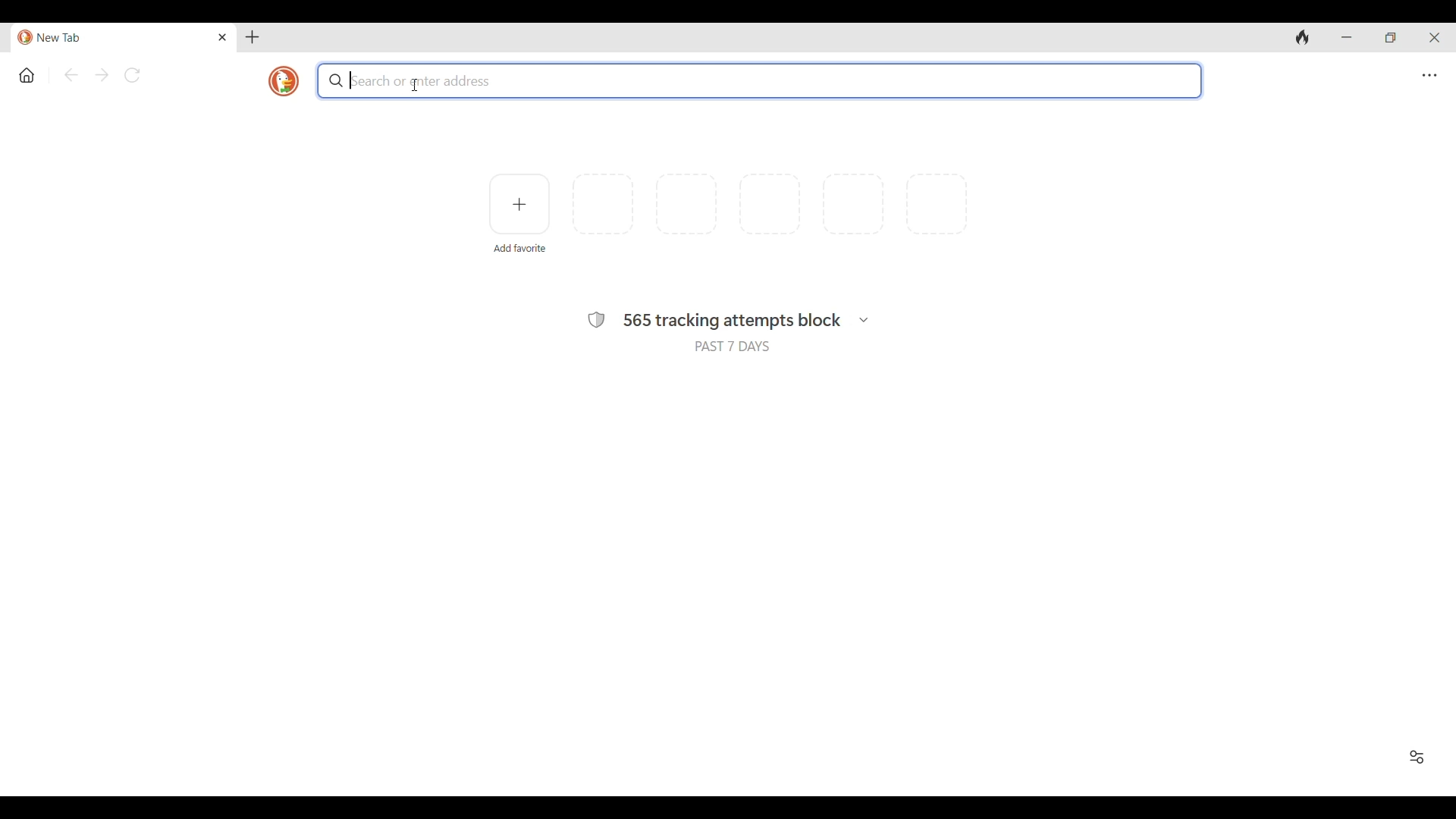  What do you see at coordinates (223, 37) in the screenshot?
I see `Close` at bounding box center [223, 37].